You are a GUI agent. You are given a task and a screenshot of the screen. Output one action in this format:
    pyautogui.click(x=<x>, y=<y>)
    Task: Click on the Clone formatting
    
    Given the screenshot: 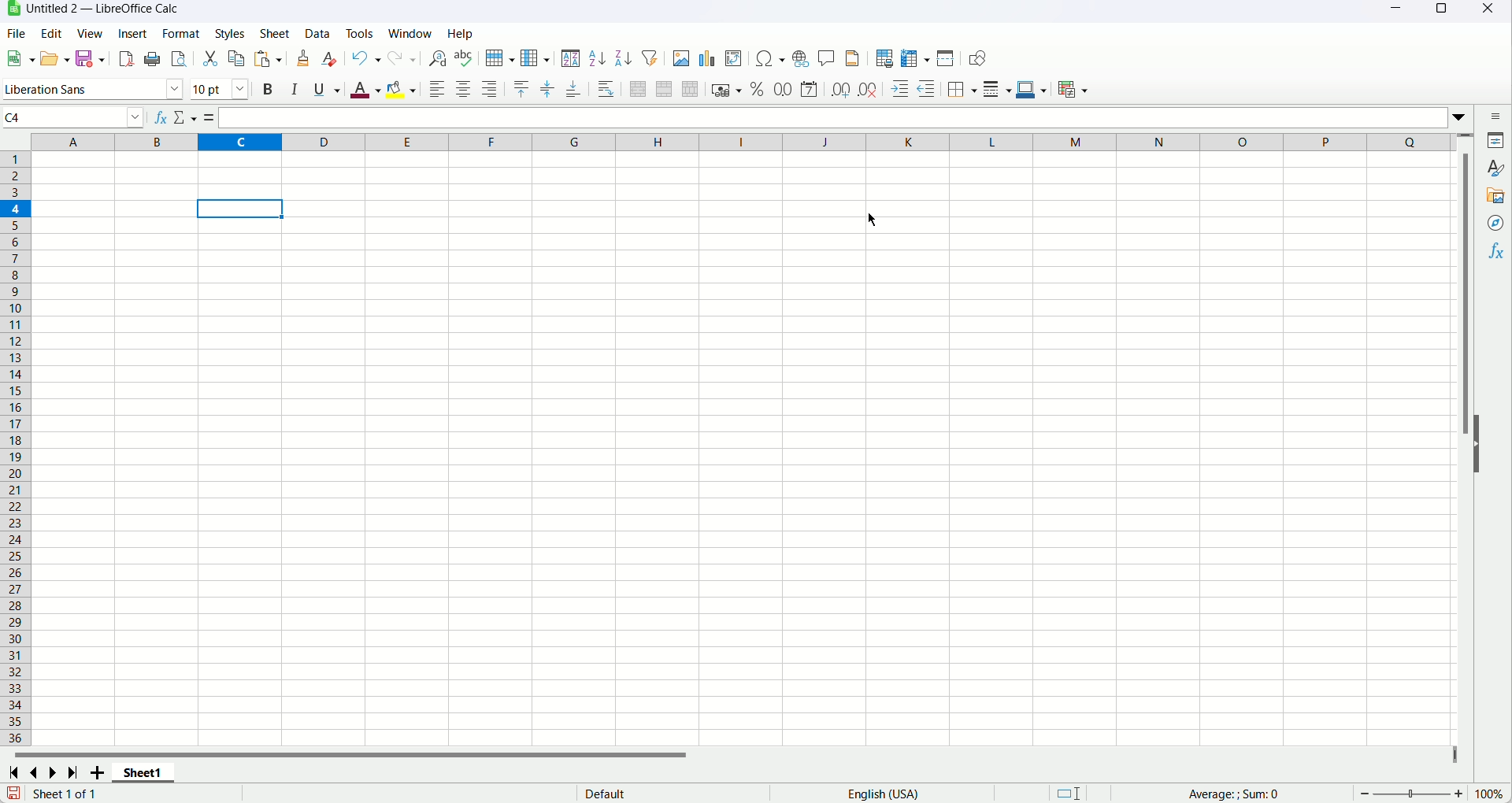 What is the action you would take?
    pyautogui.click(x=302, y=58)
    